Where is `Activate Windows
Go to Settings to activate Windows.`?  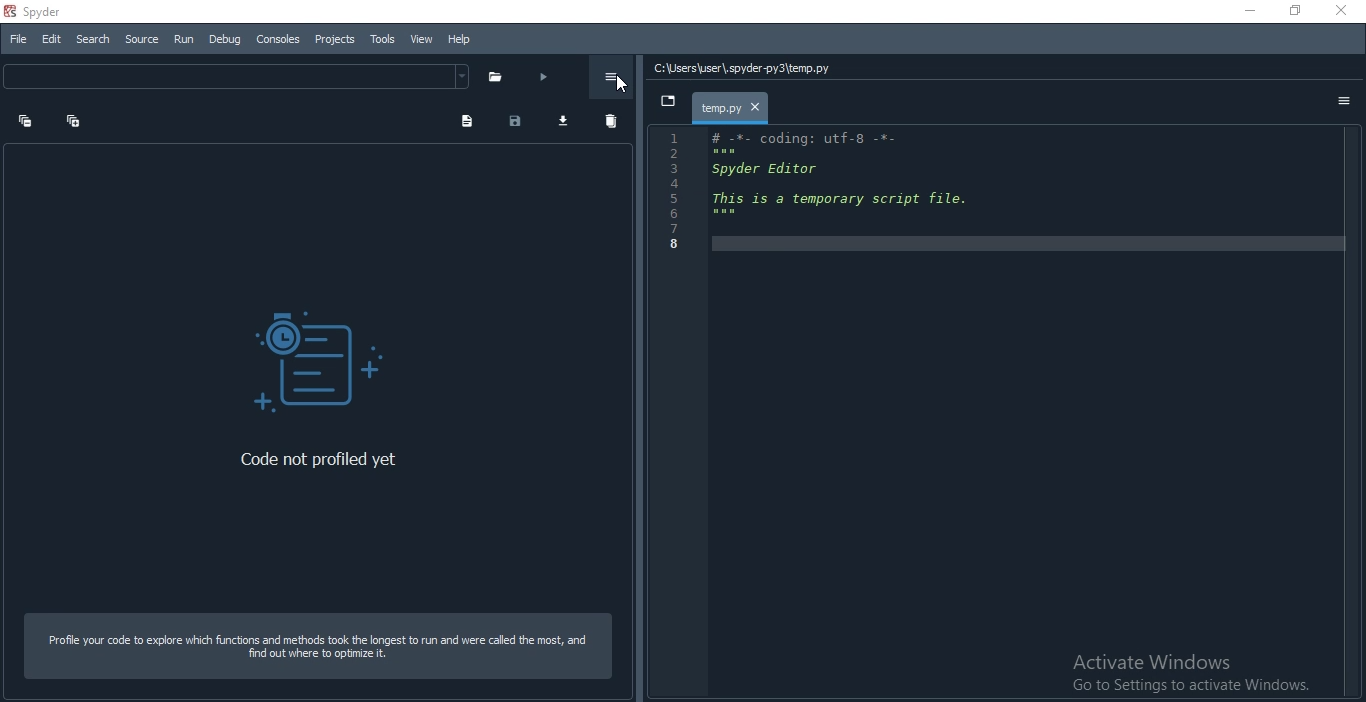
Activate Windows
Go to Settings to activate Windows. is located at coordinates (1183, 673).